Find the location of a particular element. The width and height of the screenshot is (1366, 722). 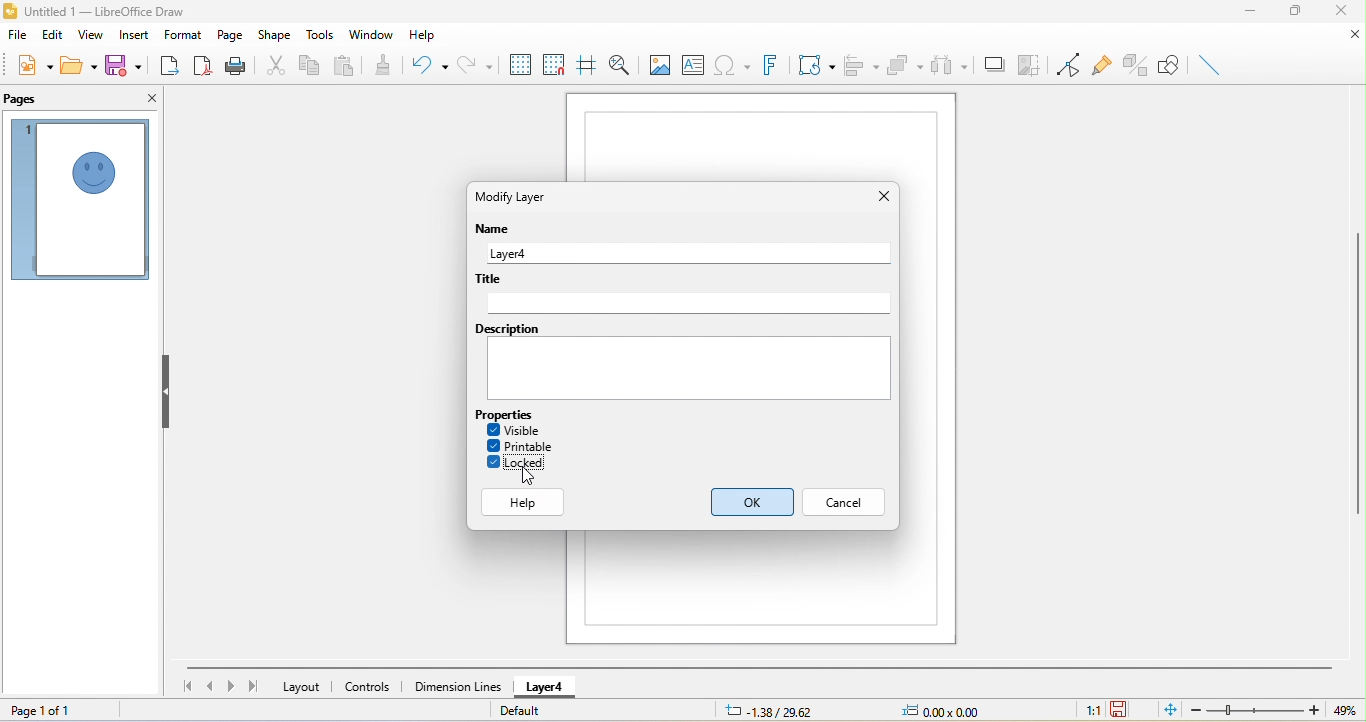

zoom is located at coordinates (1254, 710).